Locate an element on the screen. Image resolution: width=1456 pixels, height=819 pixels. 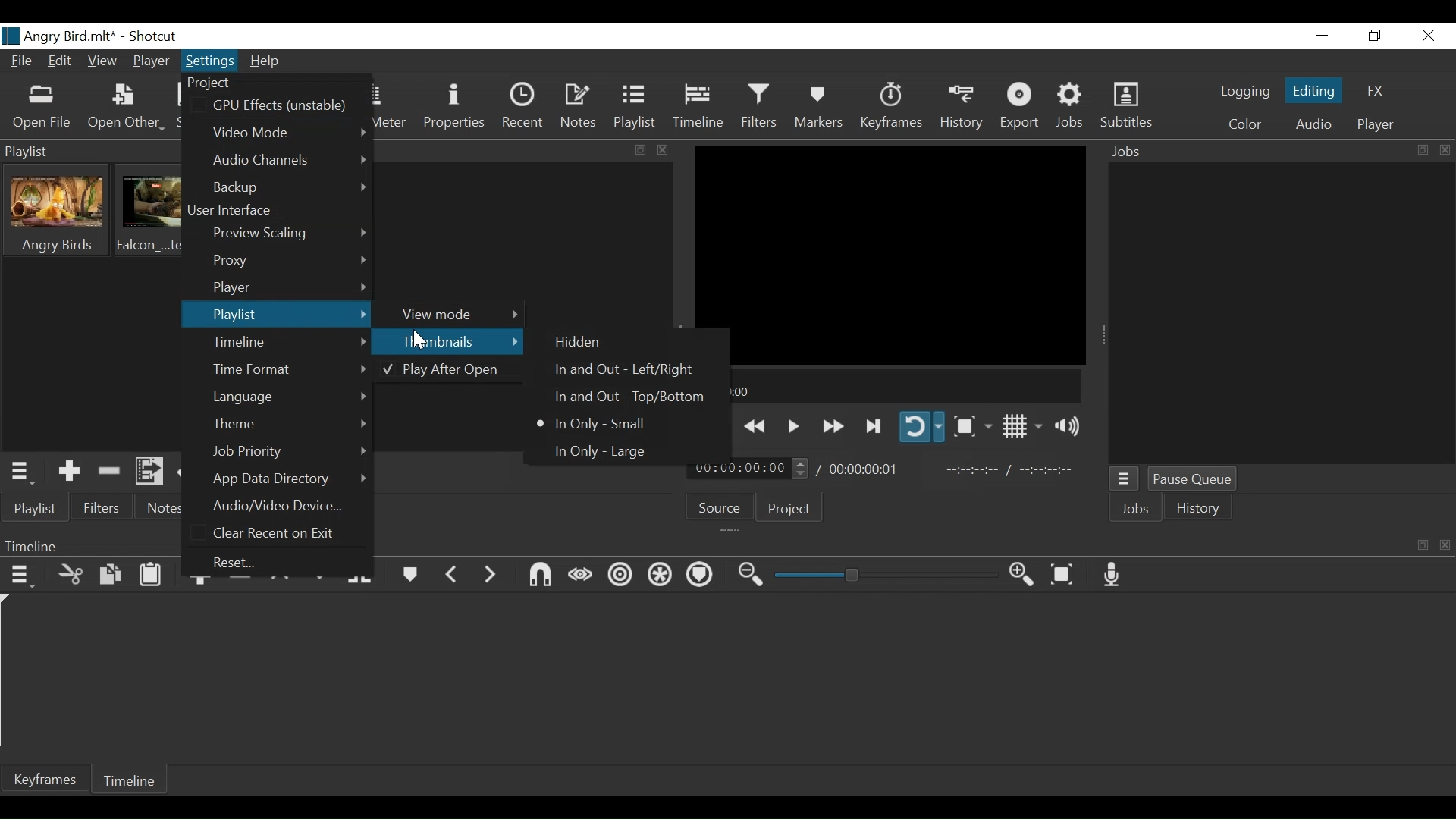
Keyframes is located at coordinates (45, 778).